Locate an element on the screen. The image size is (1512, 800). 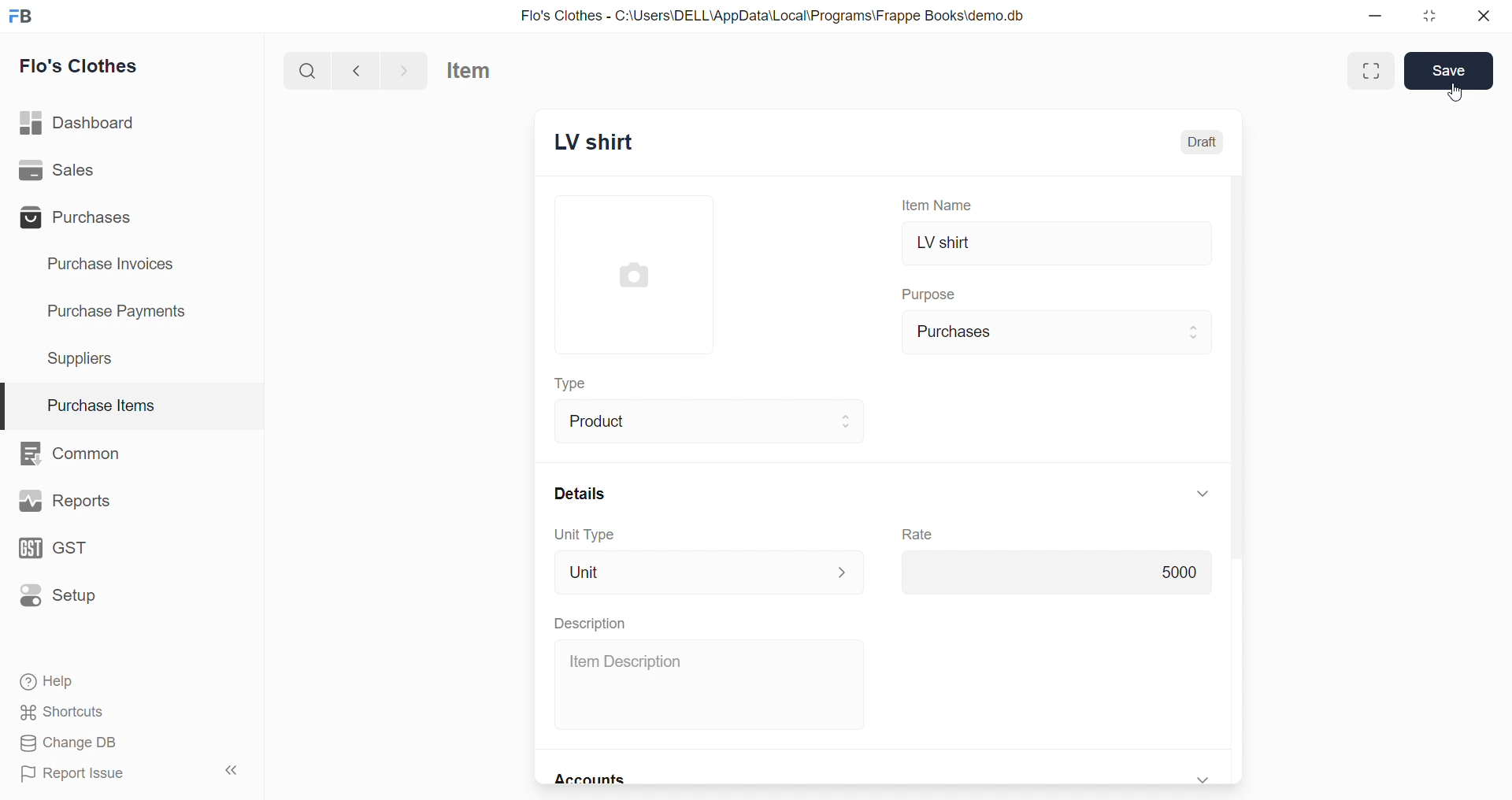
navigate forward is located at coordinates (406, 70).